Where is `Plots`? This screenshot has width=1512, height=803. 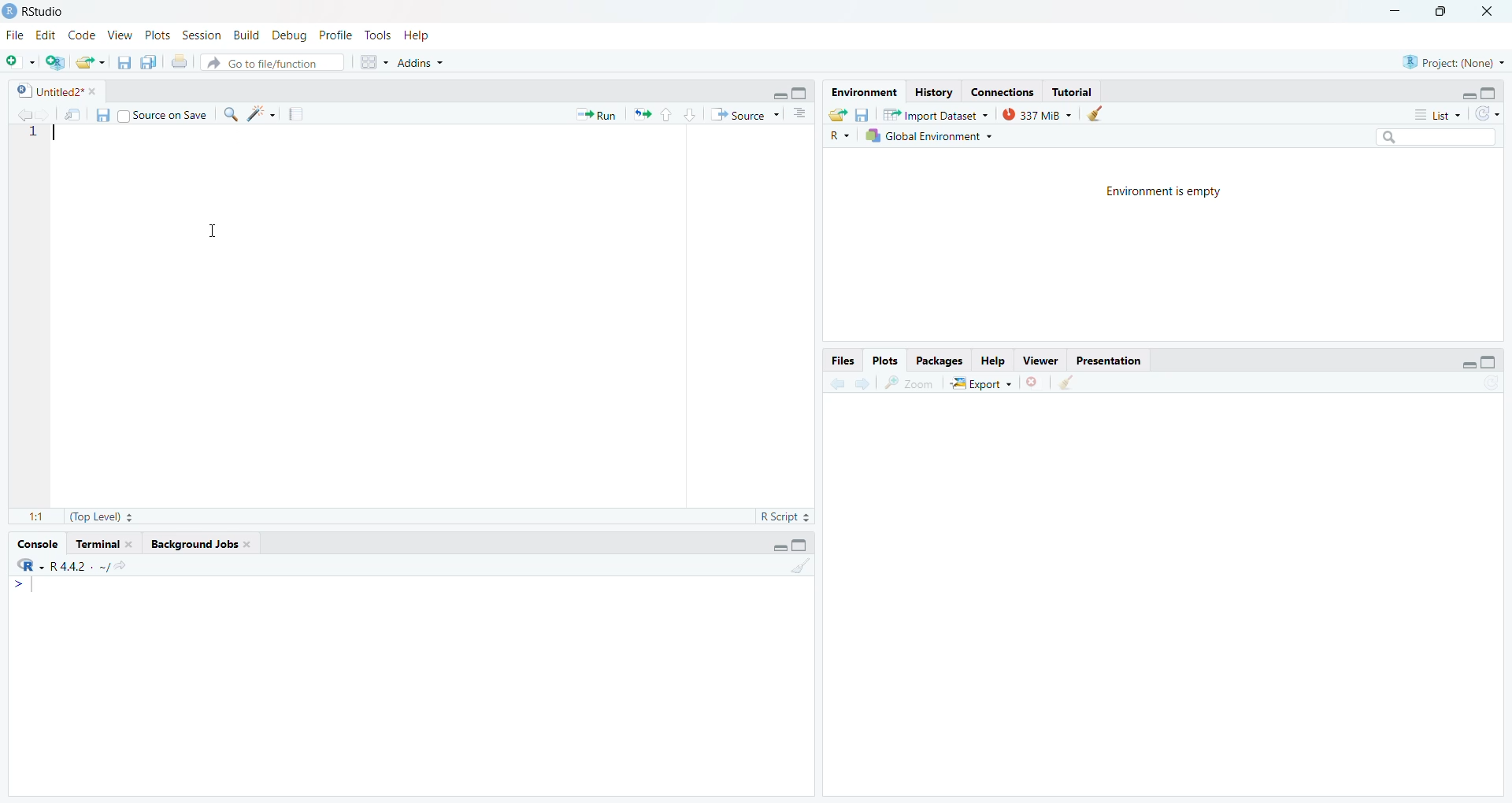 Plots is located at coordinates (885, 360).